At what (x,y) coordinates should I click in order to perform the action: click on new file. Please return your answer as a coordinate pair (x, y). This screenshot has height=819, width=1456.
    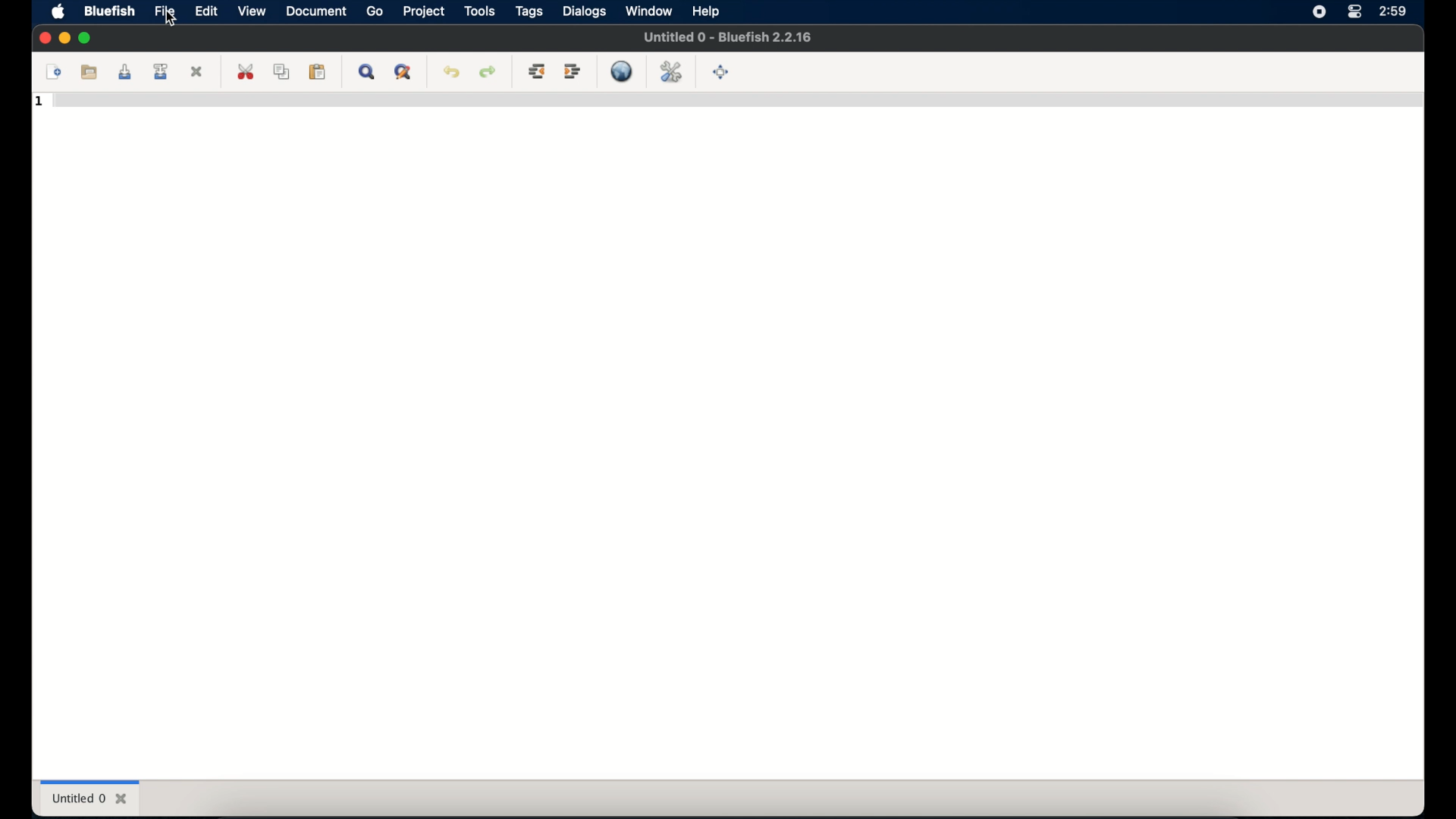
    Looking at the image, I should click on (54, 71).